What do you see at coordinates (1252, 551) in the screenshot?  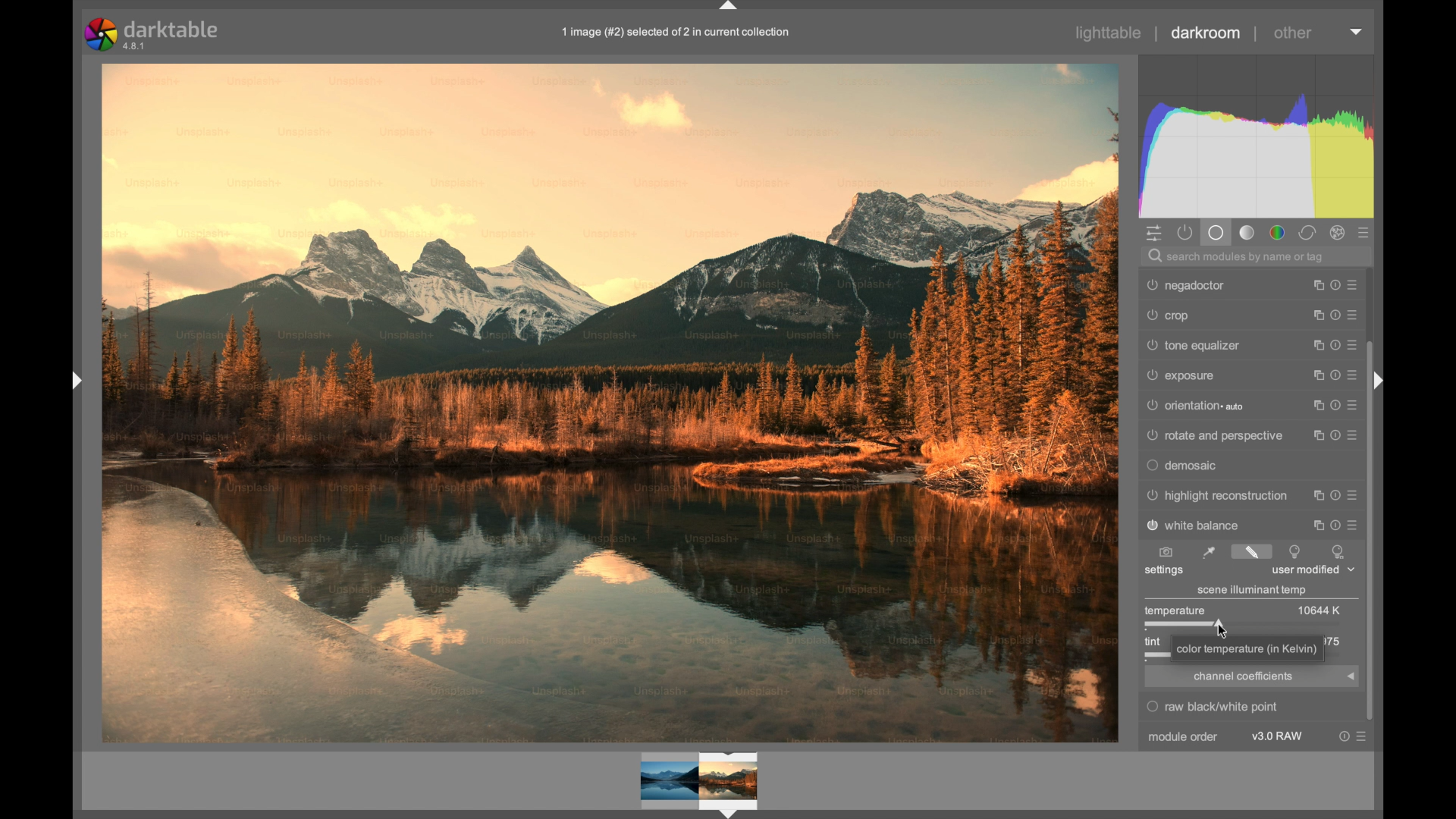 I see `set white balance` at bounding box center [1252, 551].